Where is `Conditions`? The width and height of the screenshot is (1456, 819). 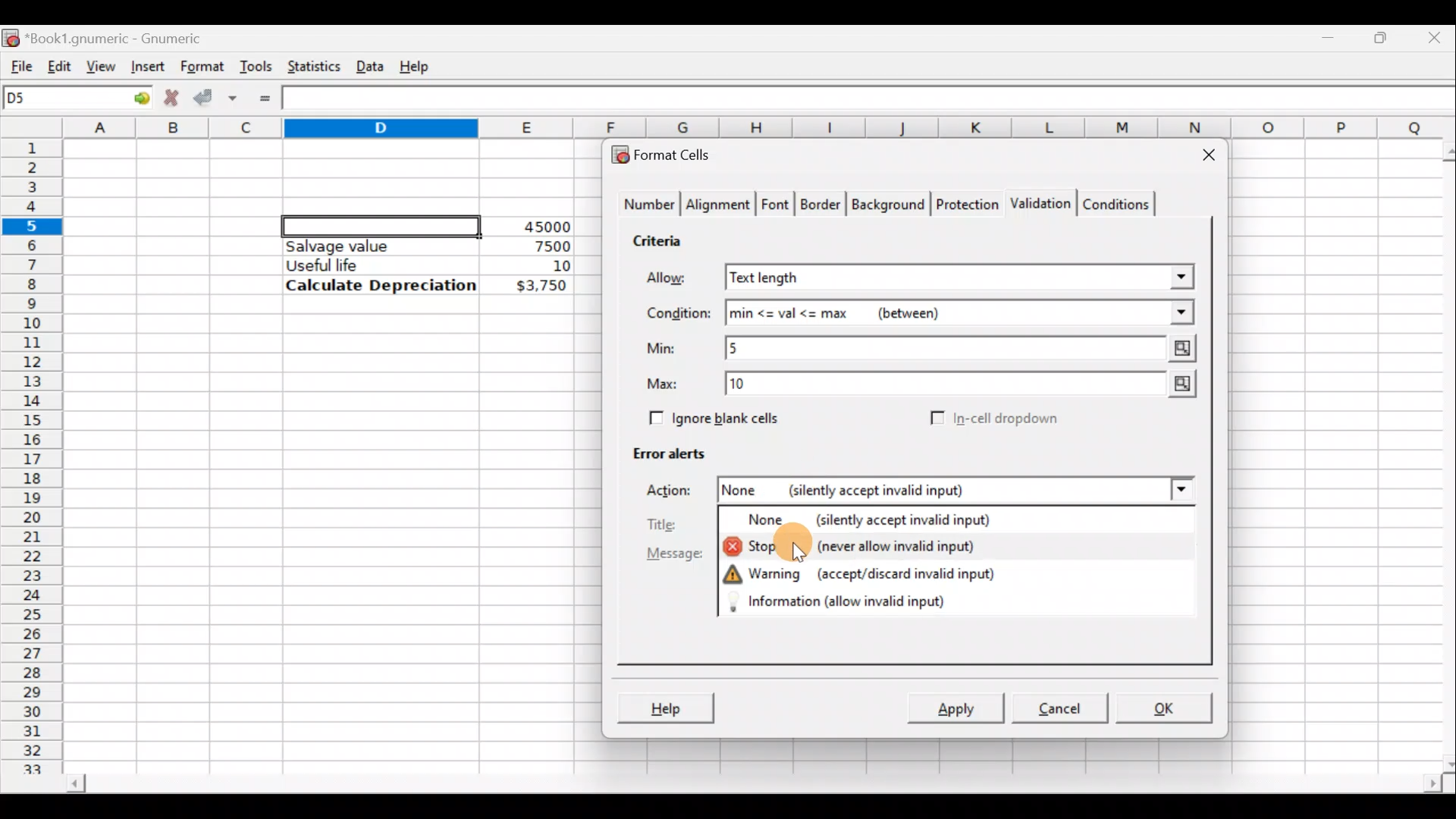 Conditions is located at coordinates (1116, 203).